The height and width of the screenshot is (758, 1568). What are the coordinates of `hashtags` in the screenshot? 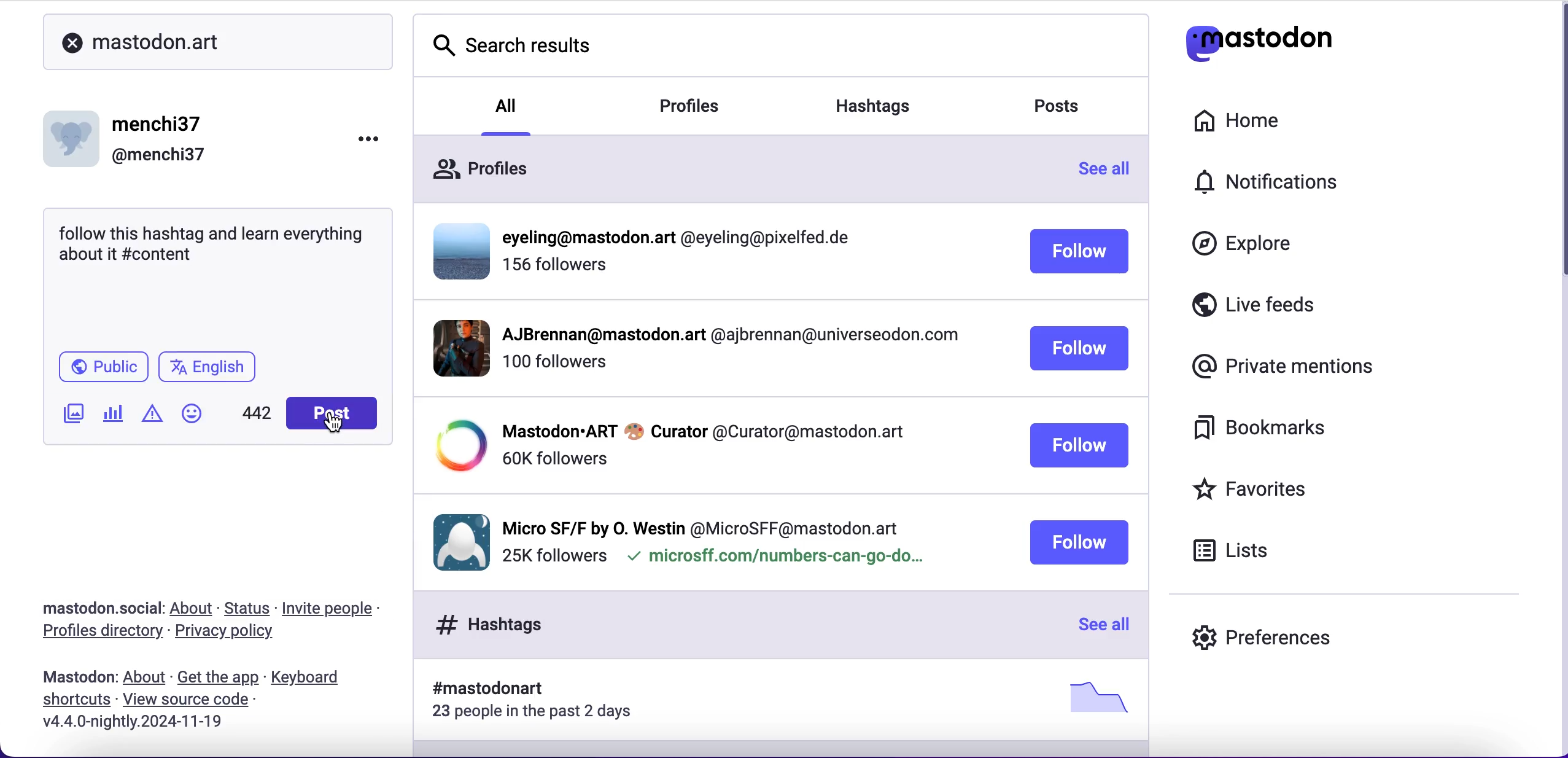 It's located at (483, 624).